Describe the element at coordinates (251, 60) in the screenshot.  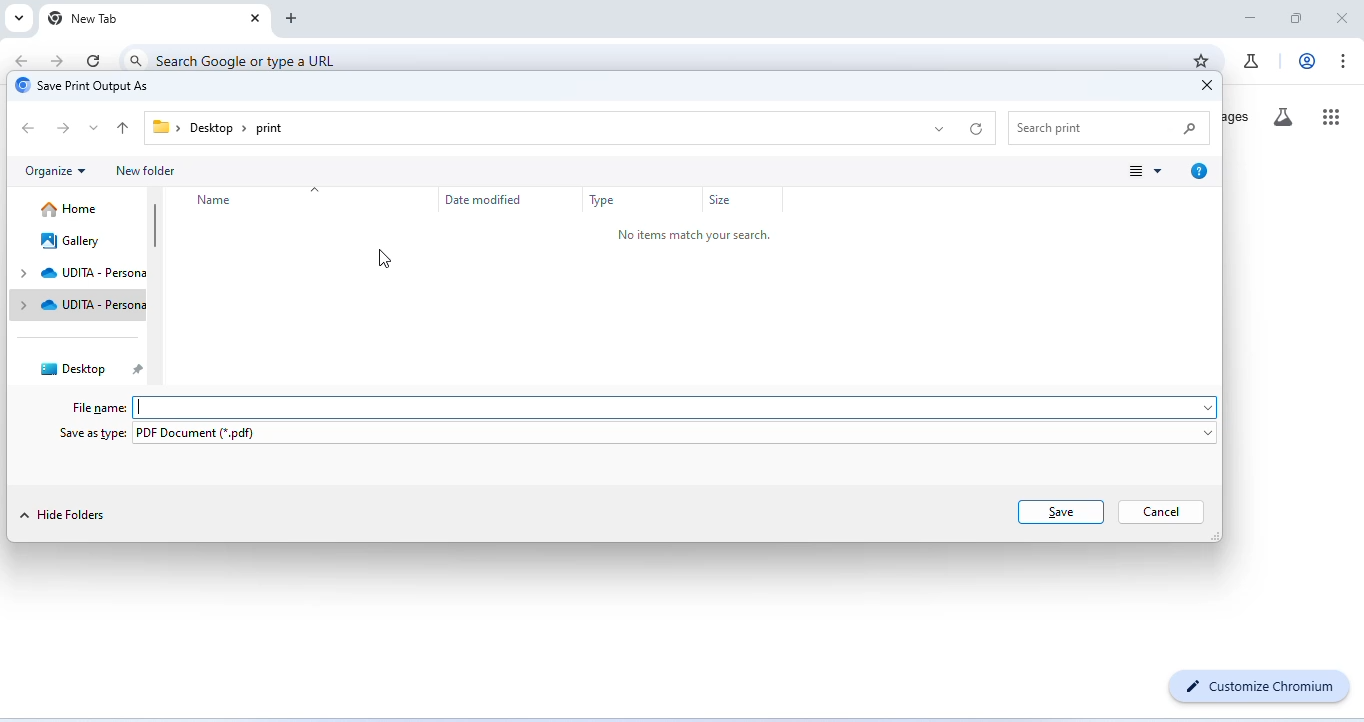
I see `search google or type a URL` at that location.